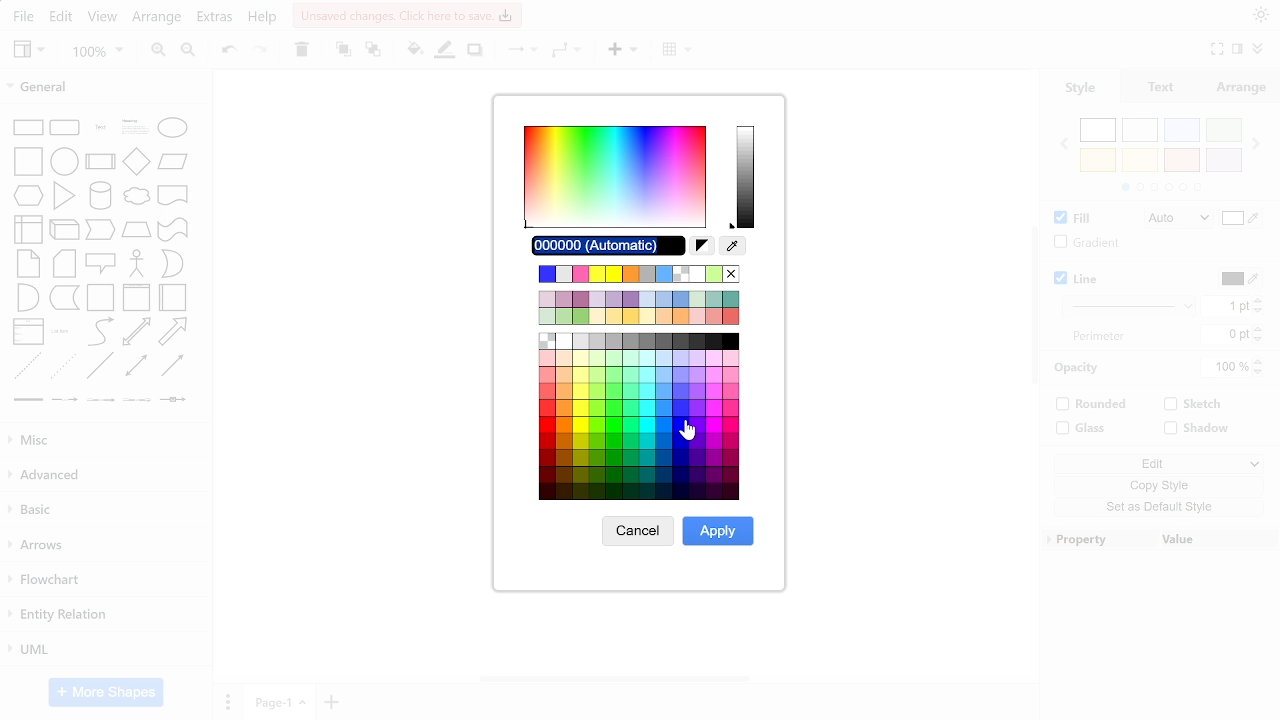 The image size is (1280, 720). What do you see at coordinates (1063, 144) in the screenshot?
I see `previous` at bounding box center [1063, 144].